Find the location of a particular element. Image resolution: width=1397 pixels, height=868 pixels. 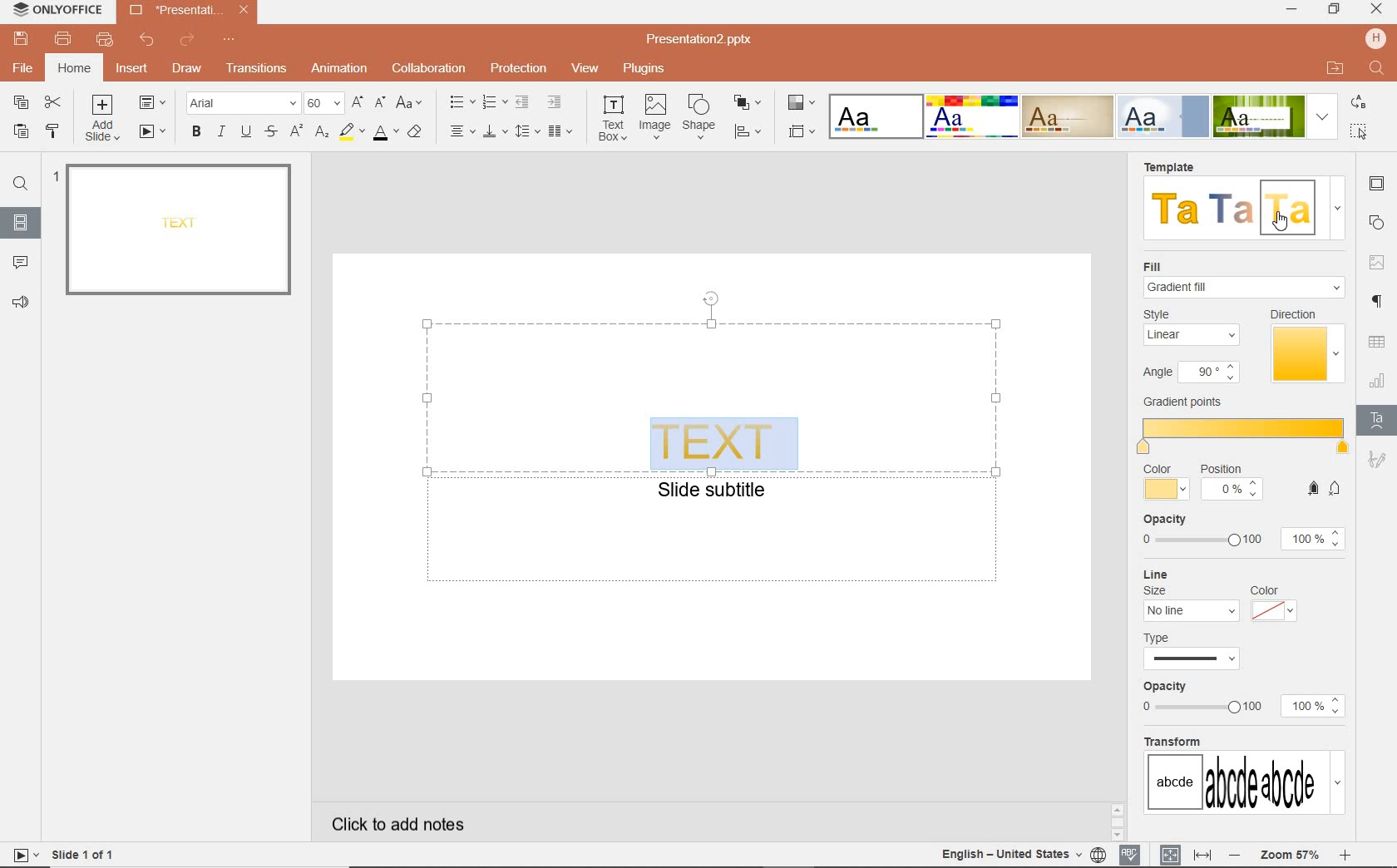

SUPERSCRIPT is located at coordinates (297, 132).